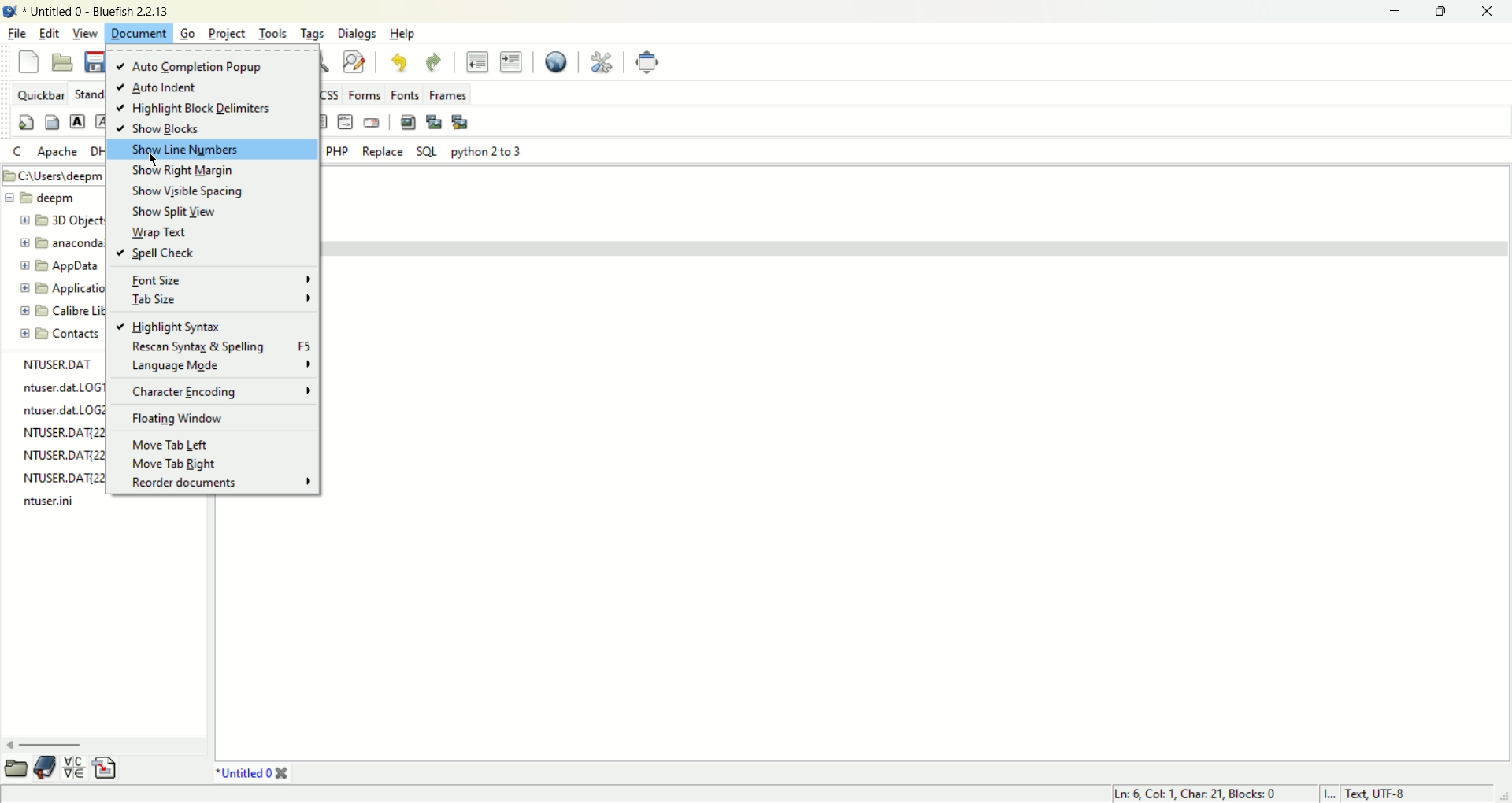  Describe the element at coordinates (460, 121) in the screenshot. I see `multi thumbnail` at that location.